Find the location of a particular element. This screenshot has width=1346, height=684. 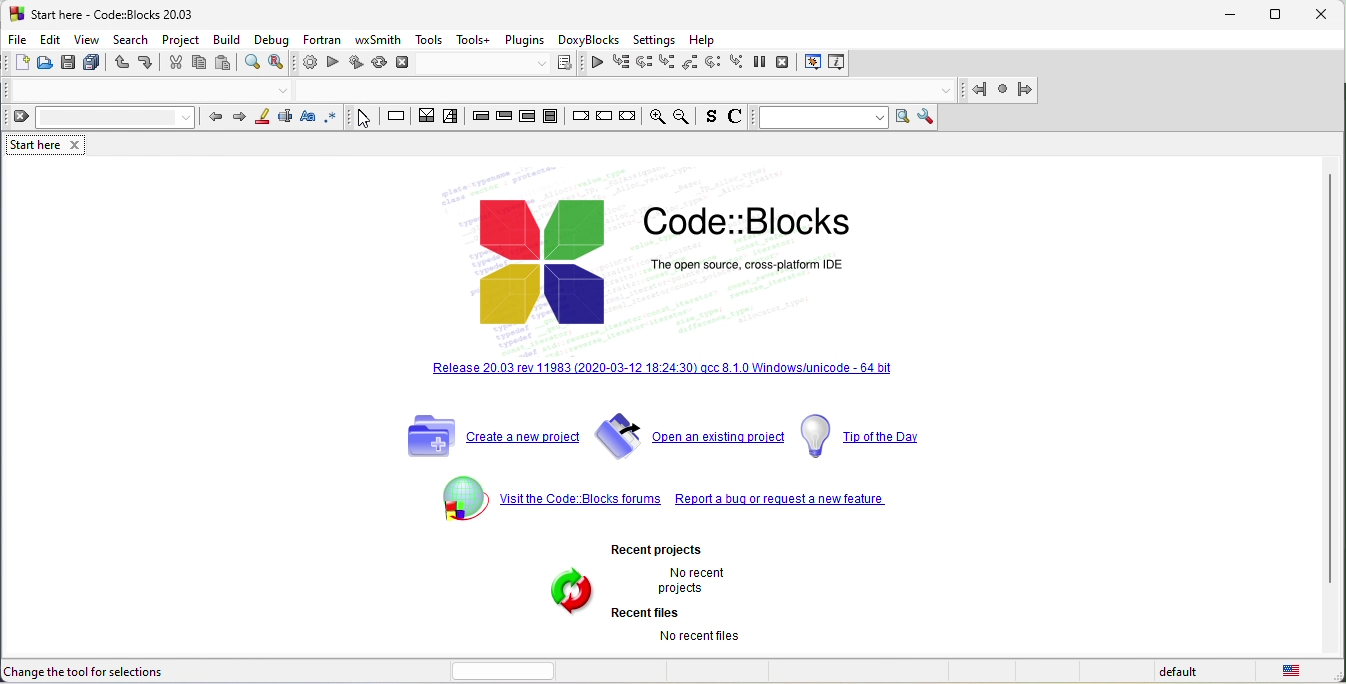

continue is located at coordinates (601, 66).